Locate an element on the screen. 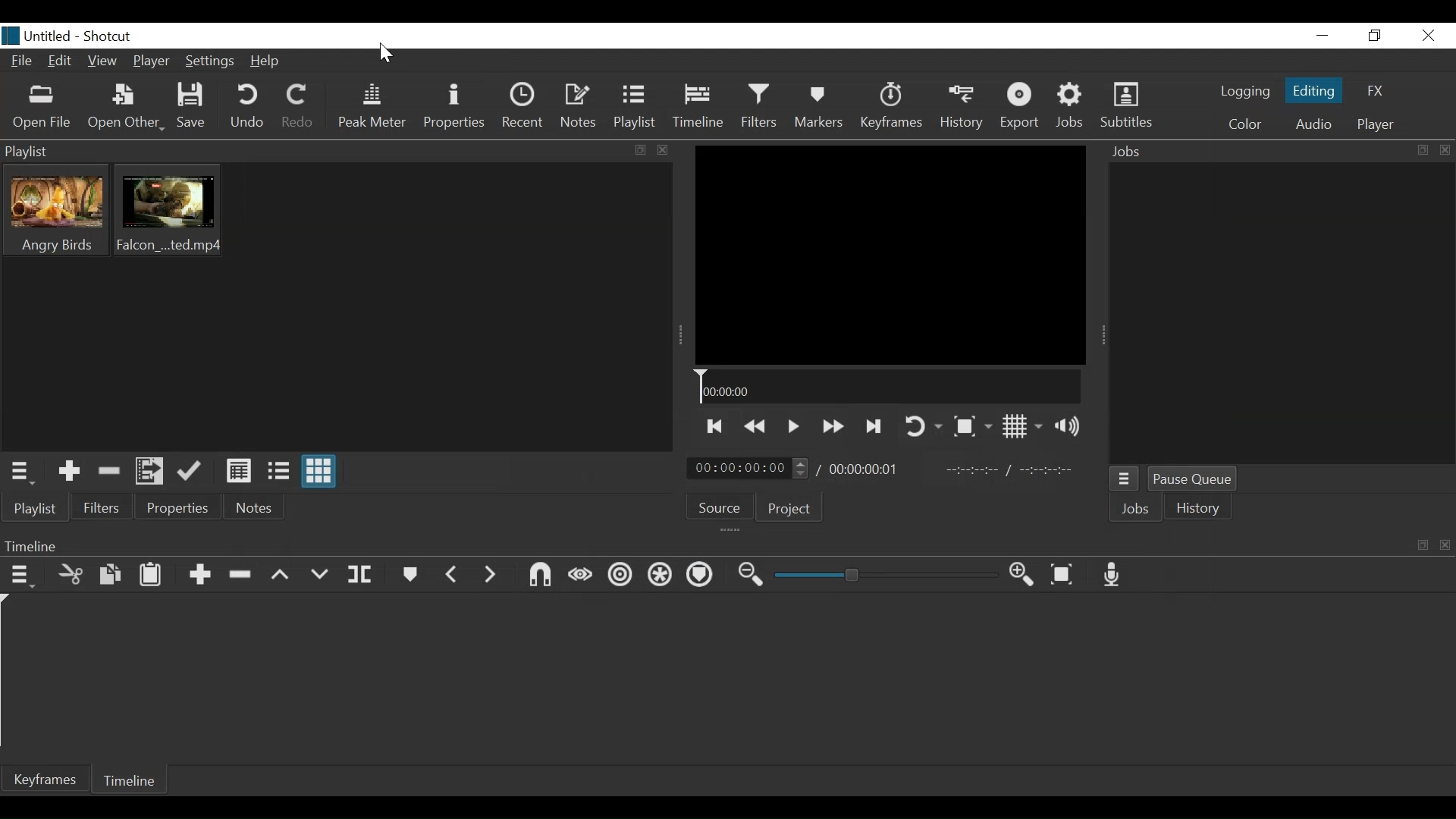  Zoom timeline out is located at coordinates (752, 576).